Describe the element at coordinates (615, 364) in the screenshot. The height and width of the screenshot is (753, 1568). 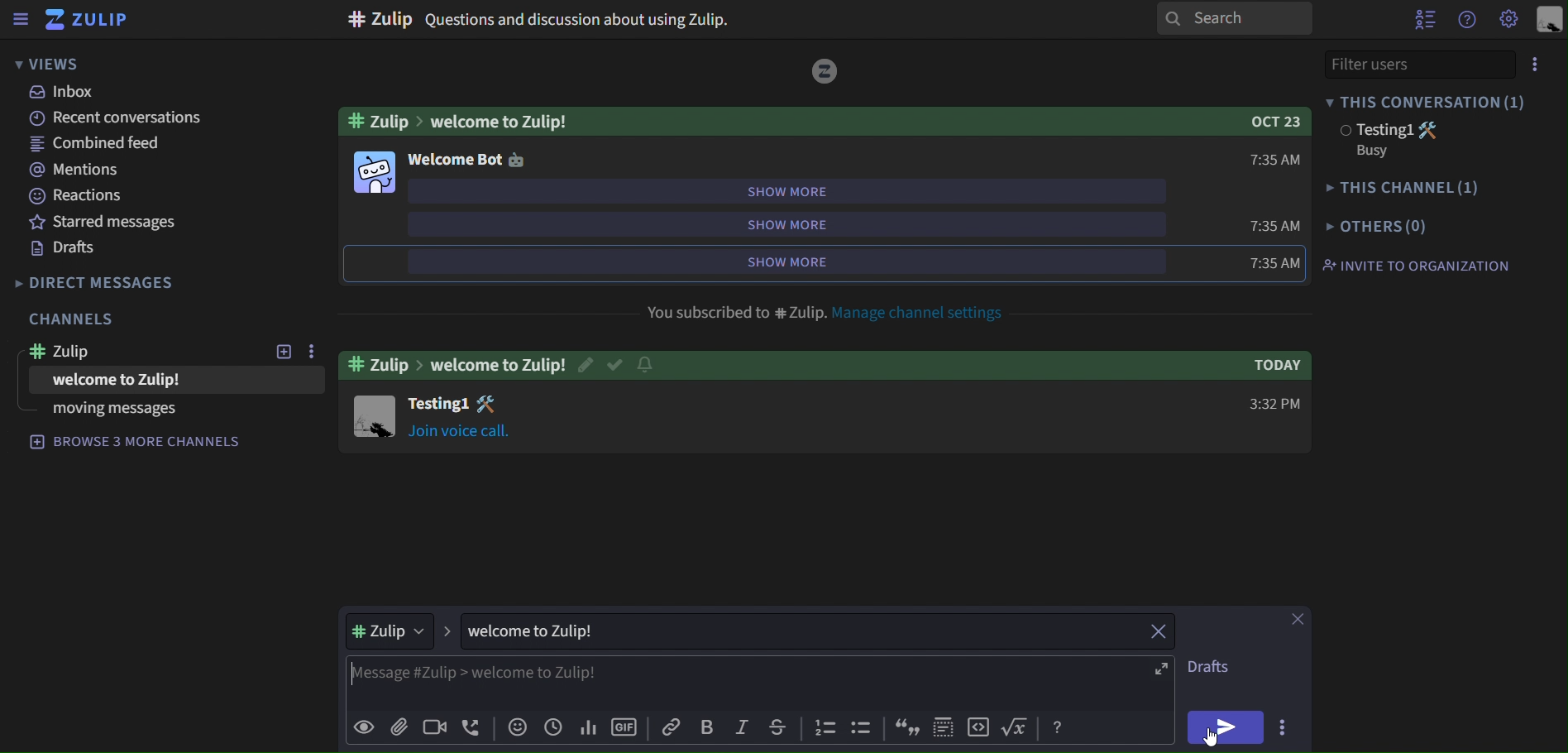
I see `Read` at that location.